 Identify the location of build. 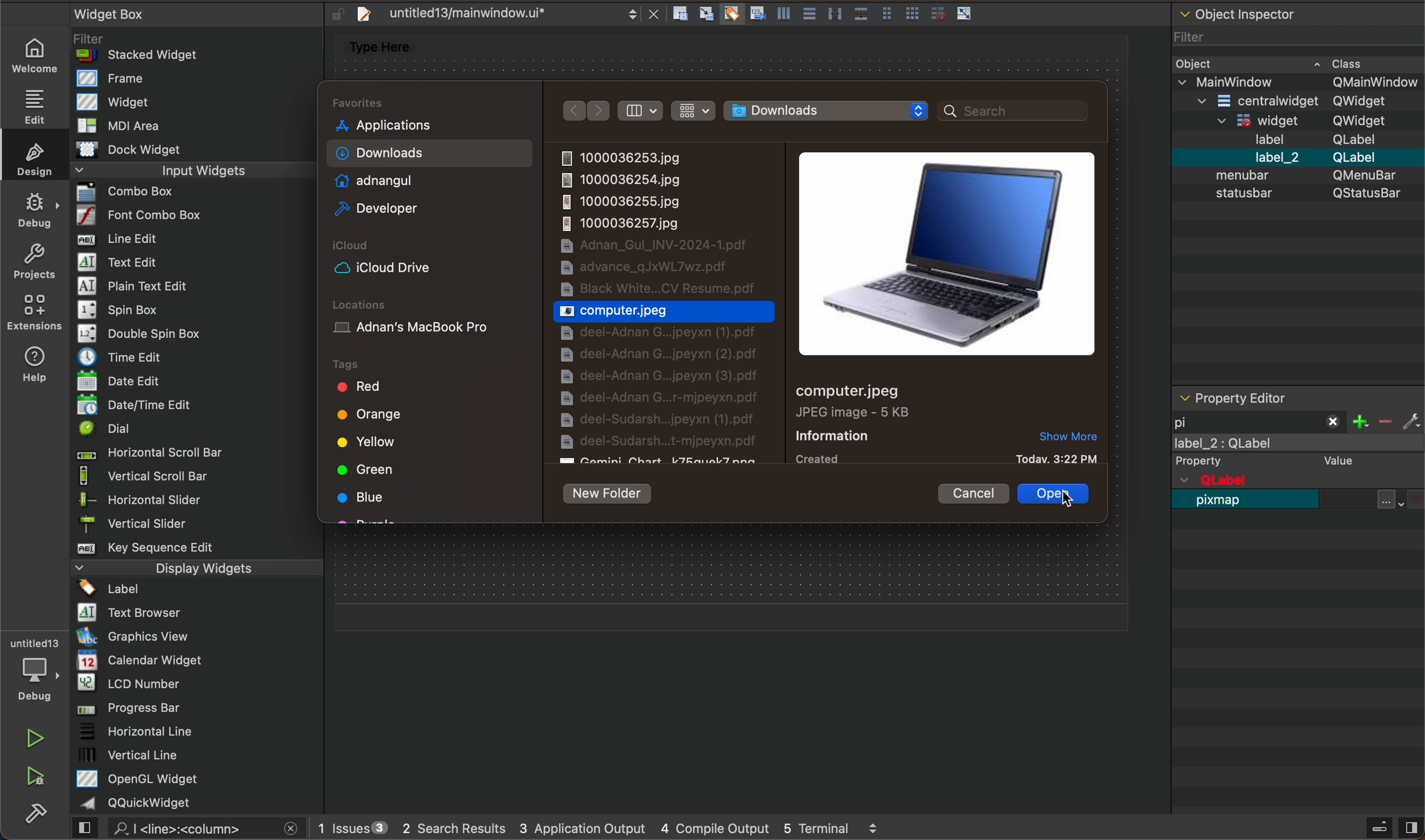
(43, 818).